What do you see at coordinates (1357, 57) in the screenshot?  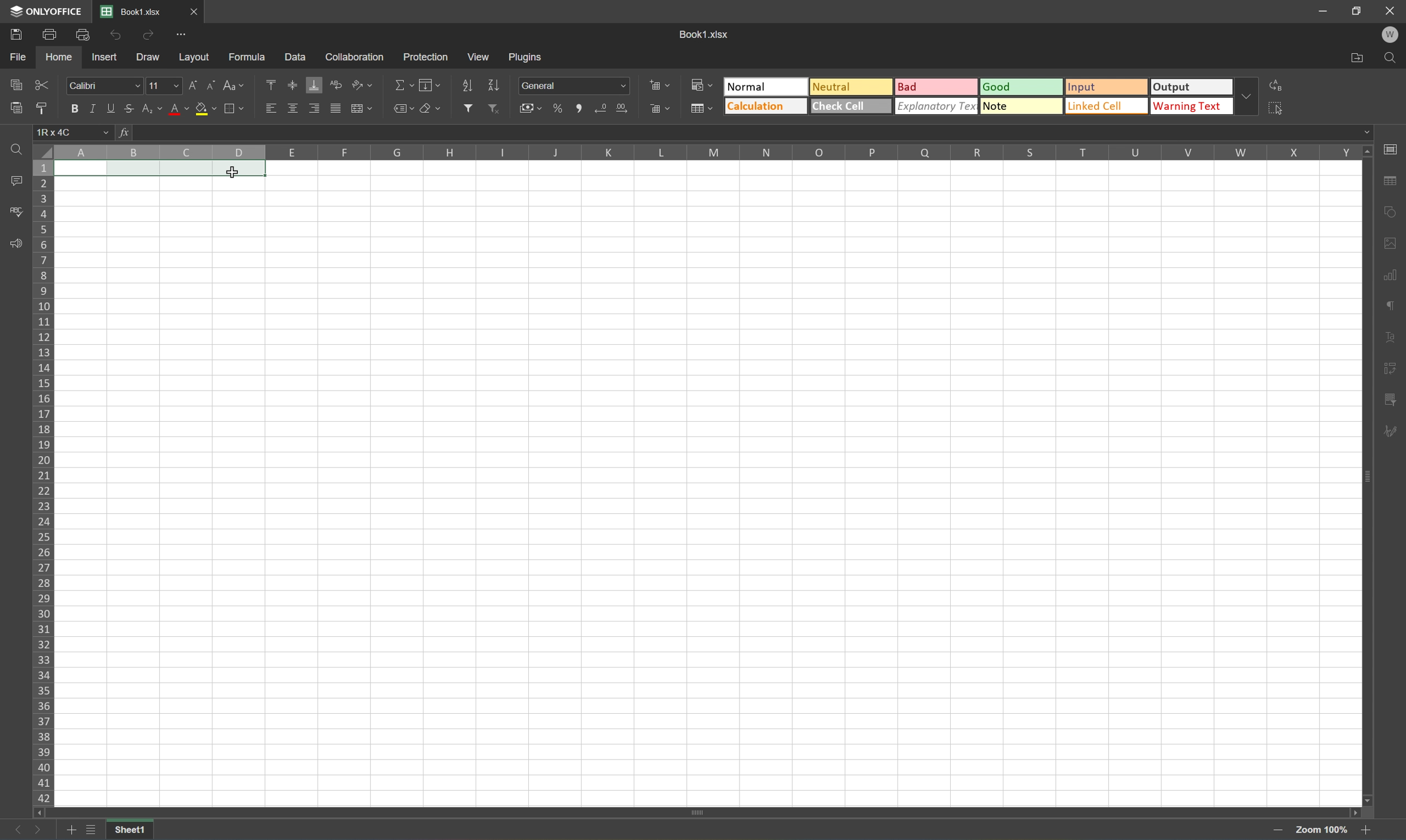 I see `Open file location` at bounding box center [1357, 57].